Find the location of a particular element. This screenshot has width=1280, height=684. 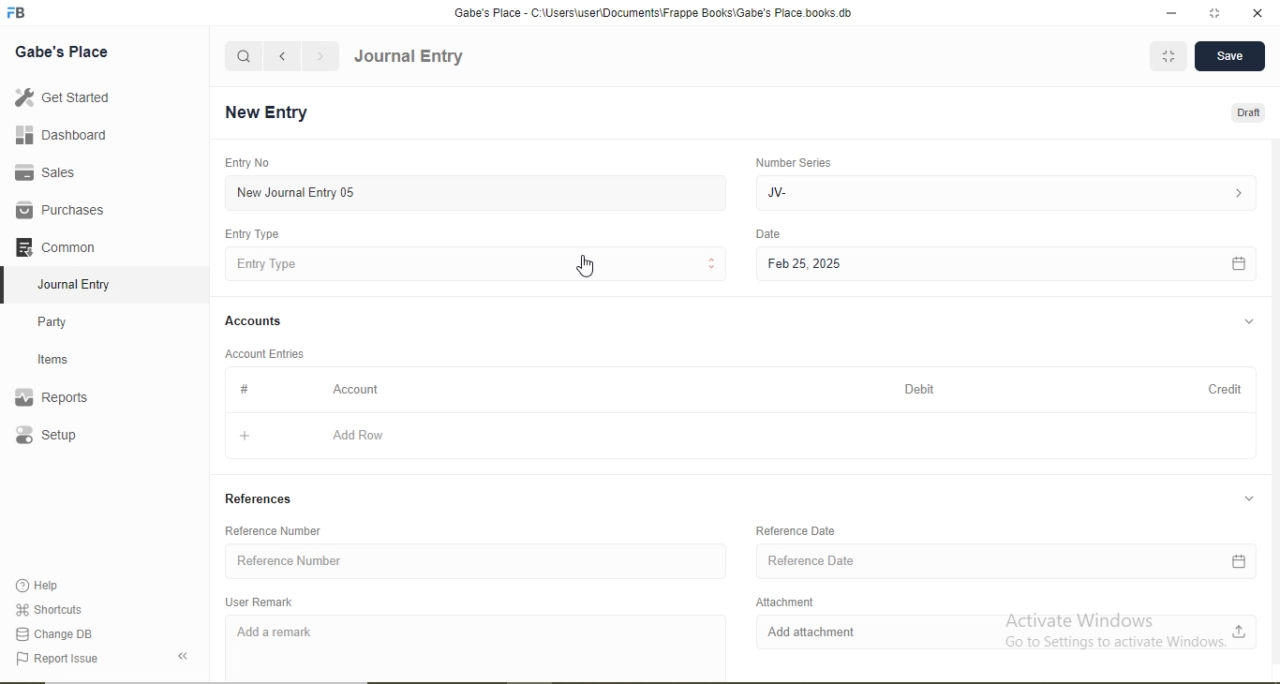

Reference Date is located at coordinates (796, 531).